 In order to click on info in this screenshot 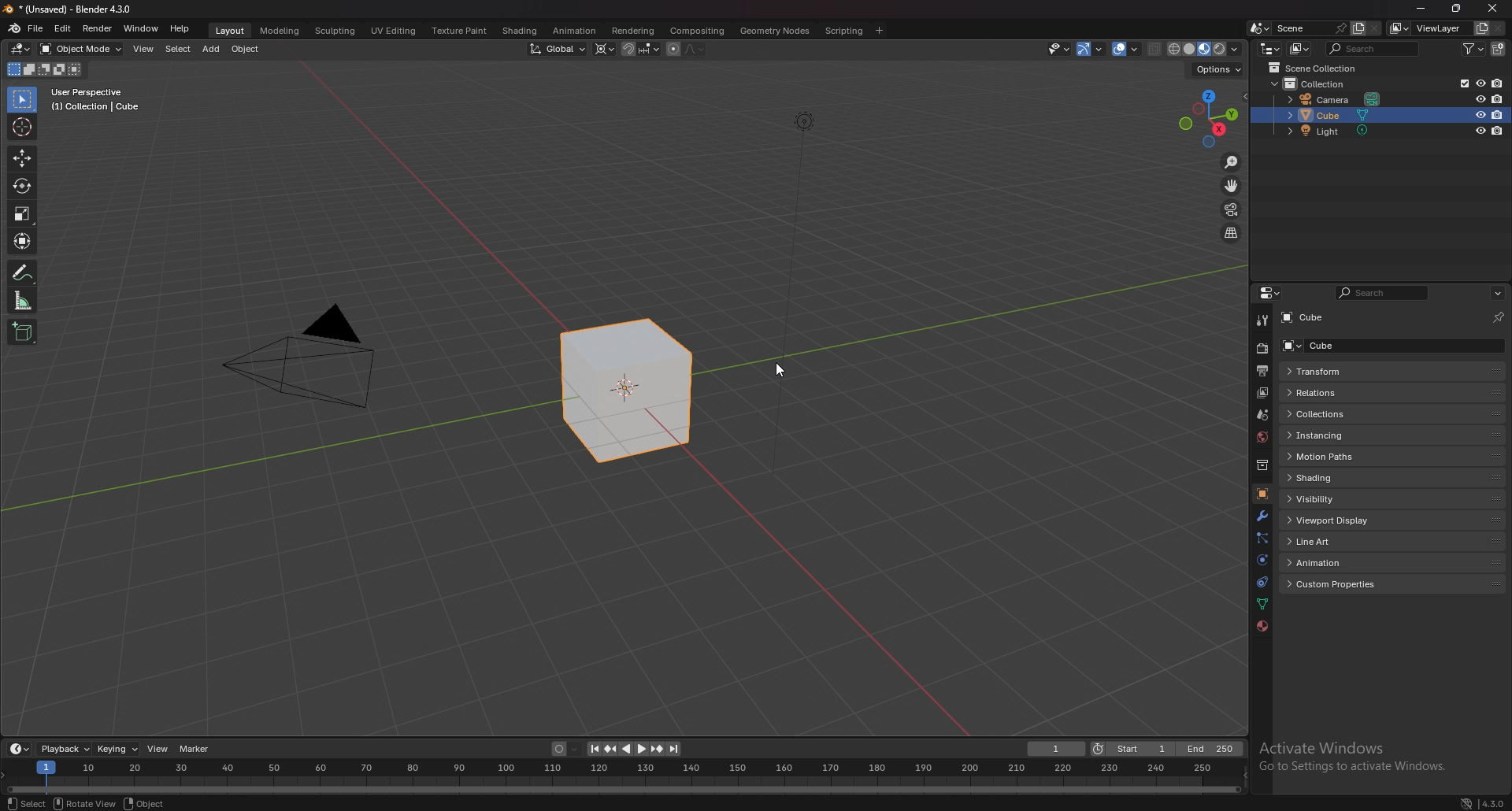, I will do `click(96, 99)`.